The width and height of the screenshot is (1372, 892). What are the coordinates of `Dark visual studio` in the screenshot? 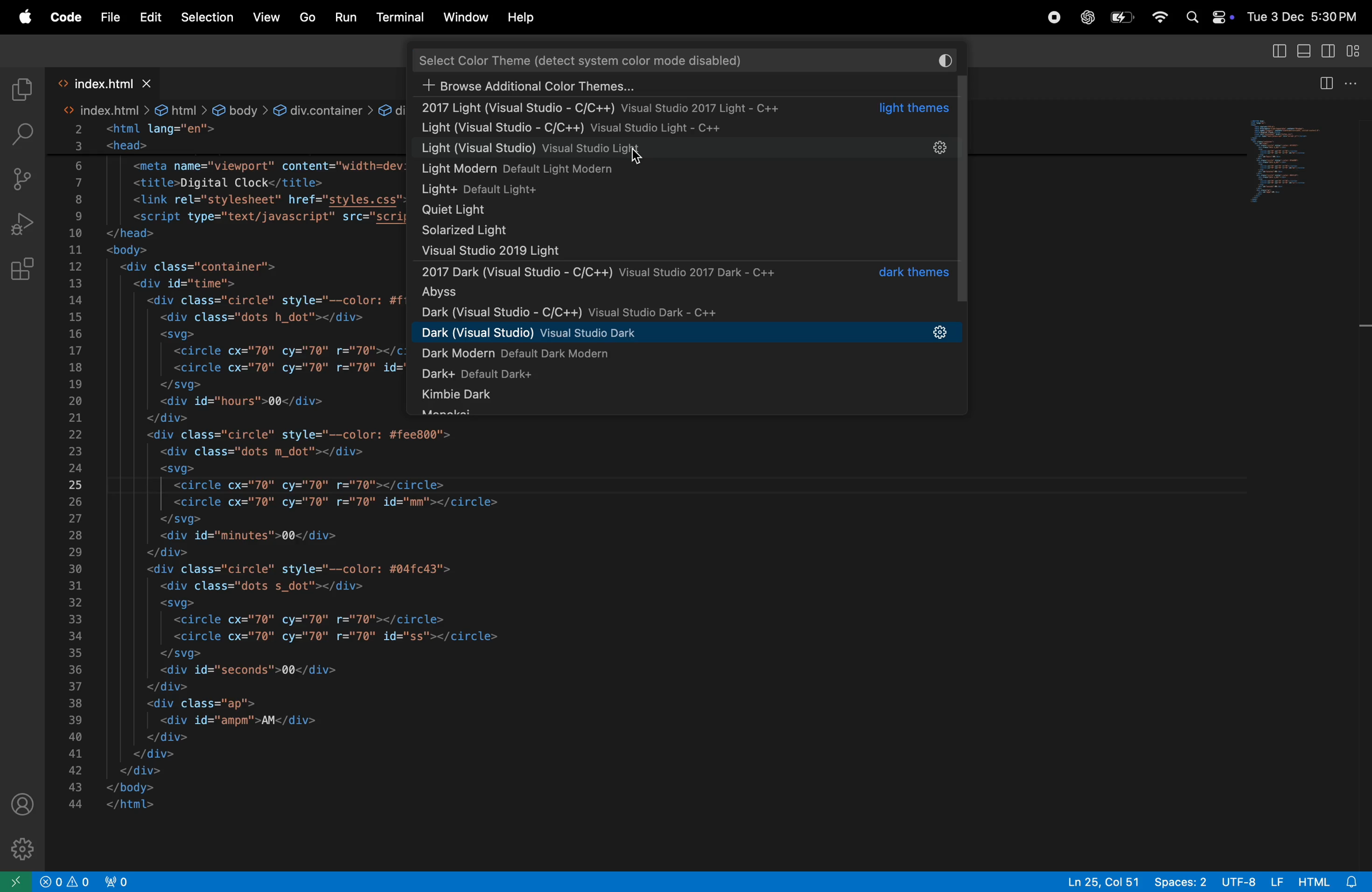 It's located at (654, 331).